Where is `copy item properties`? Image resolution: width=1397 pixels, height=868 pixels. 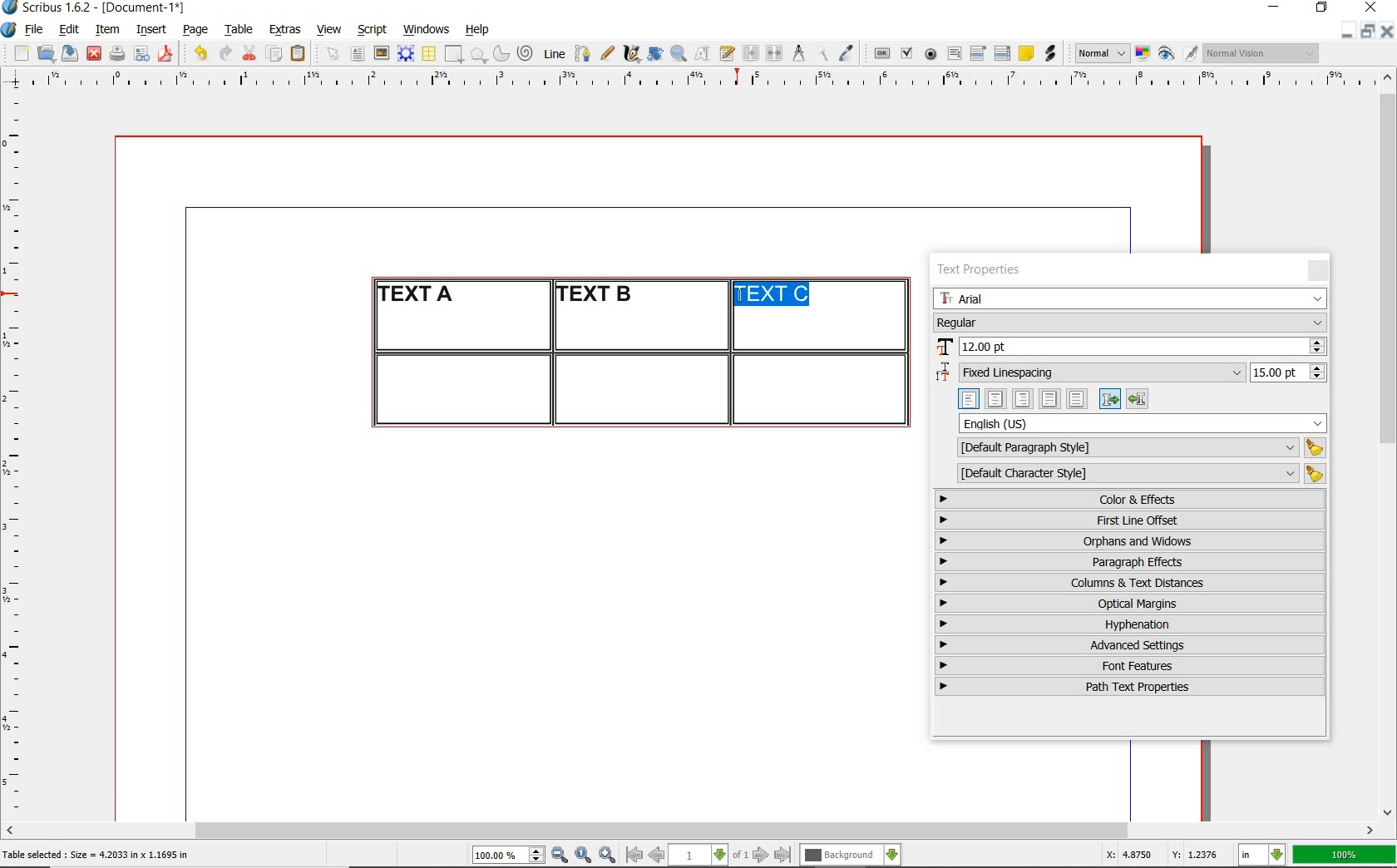
copy item properties is located at coordinates (822, 53).